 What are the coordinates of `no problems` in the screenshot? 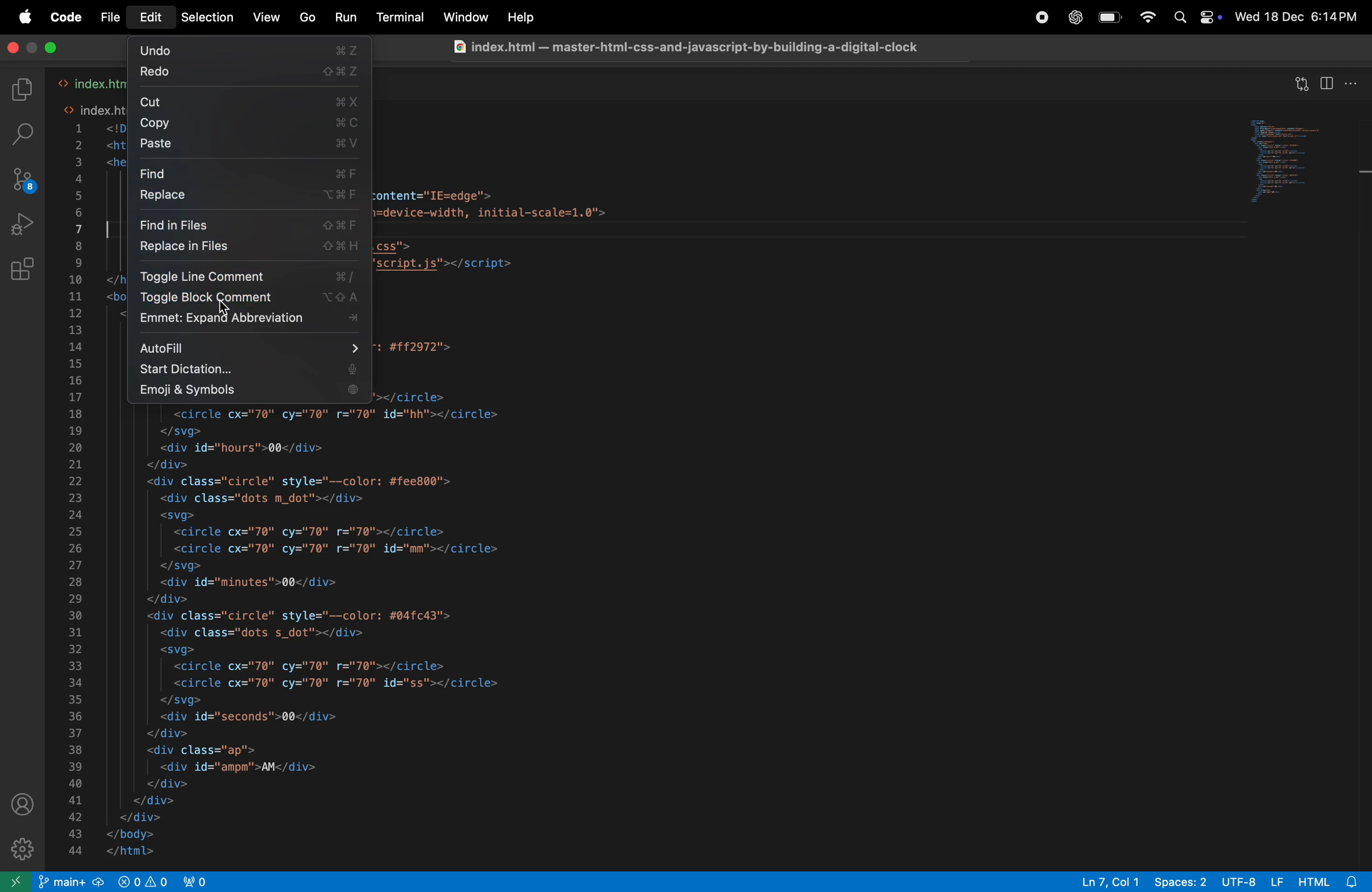 It's located at (141, 880).